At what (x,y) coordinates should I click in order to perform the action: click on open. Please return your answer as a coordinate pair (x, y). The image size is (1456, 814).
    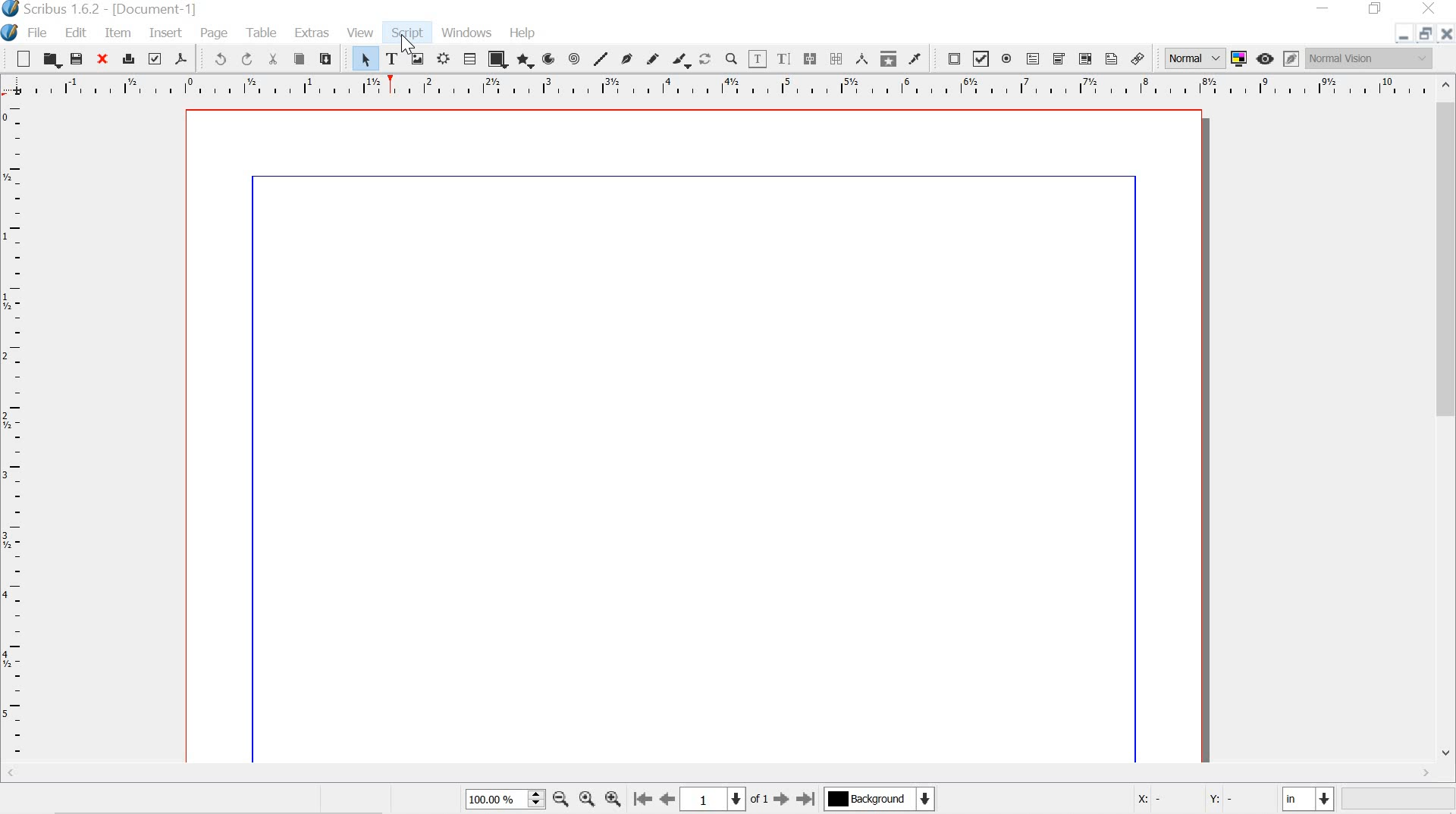
    Looking at the image, I should click on (52, 60).